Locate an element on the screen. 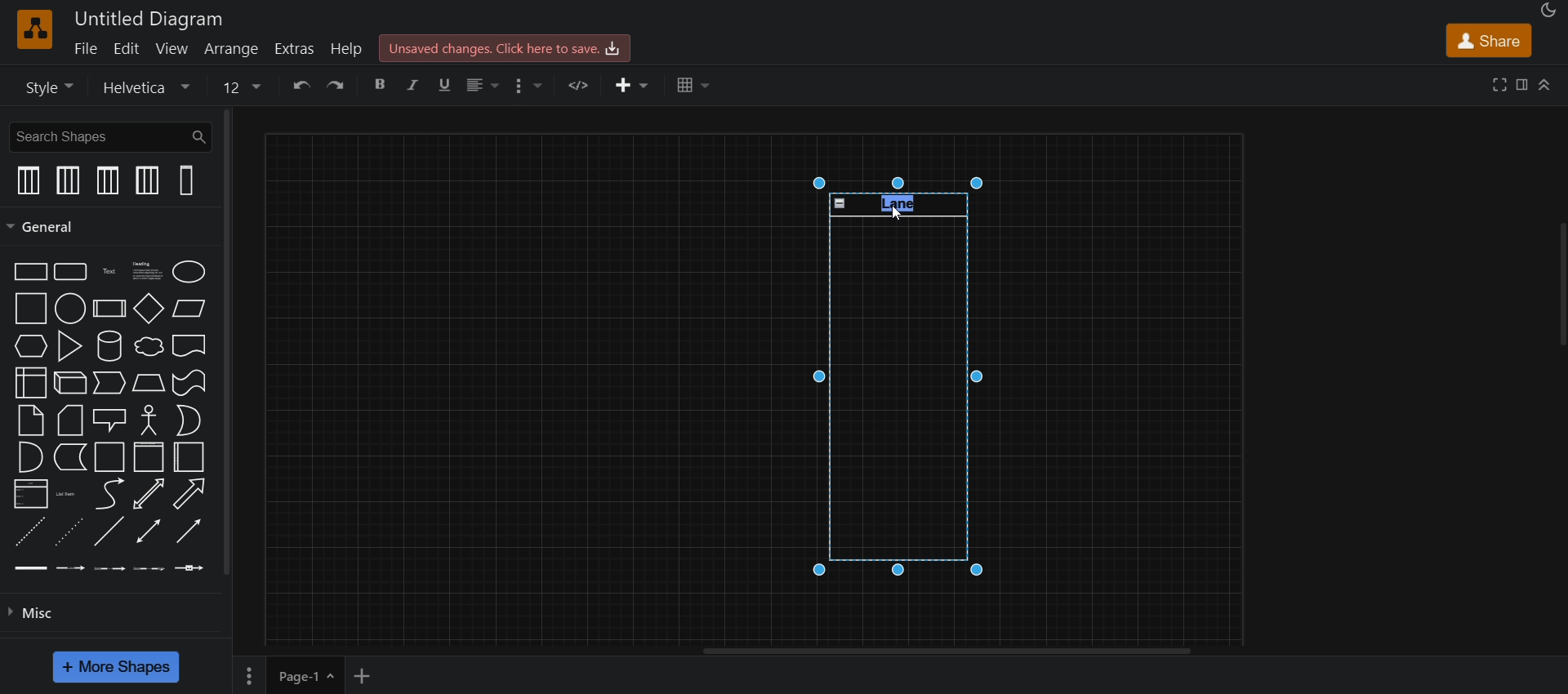 Image resolution: width=1568 pixels, height=694 pixels. rounded rectangle is located at coordinates (71, 273).